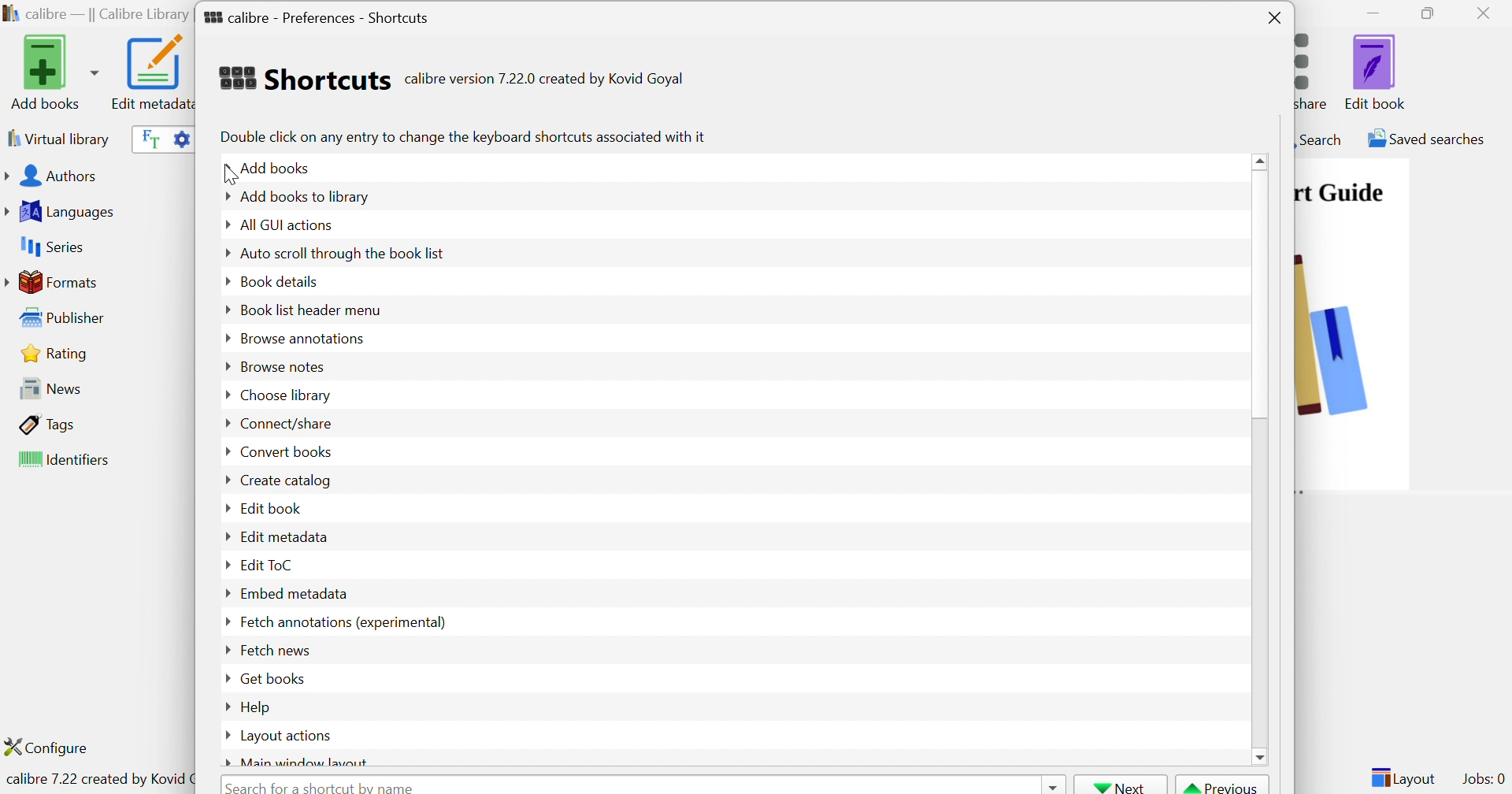 The width and height of the screenshot is (1512, 794). I want to click on Browse notes, so click(280, 366).